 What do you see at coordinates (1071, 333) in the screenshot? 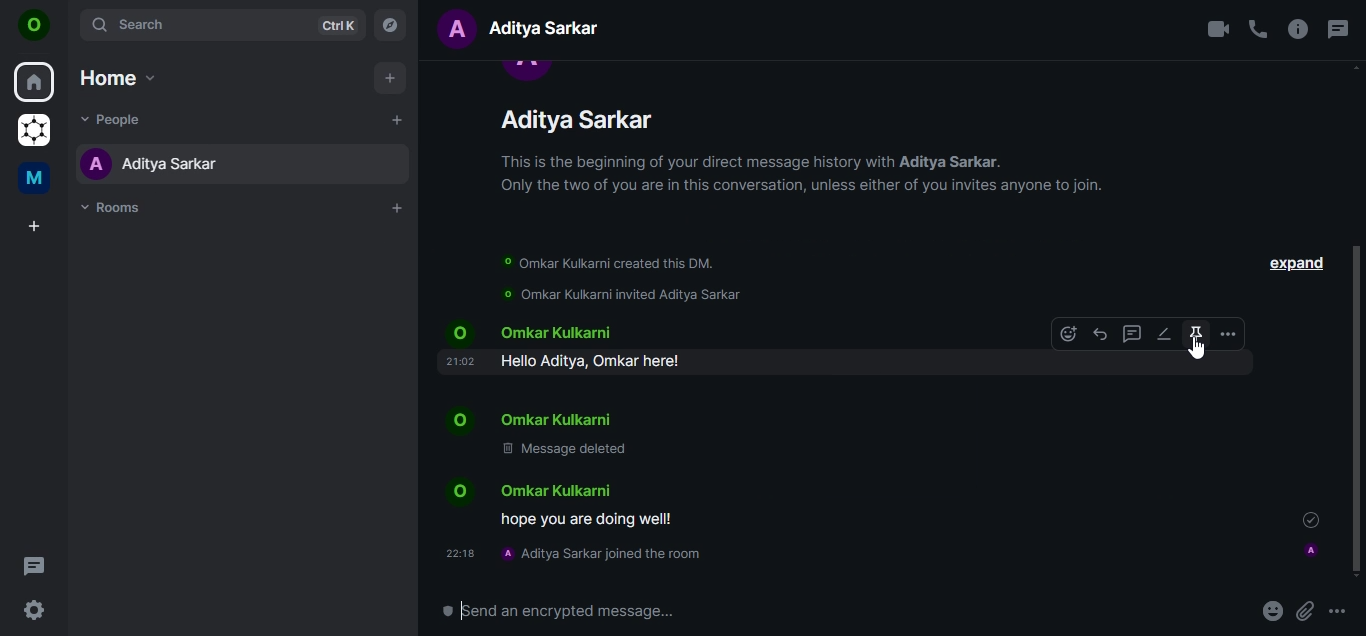
I see `emoji` at bounding box center [1071, 333].